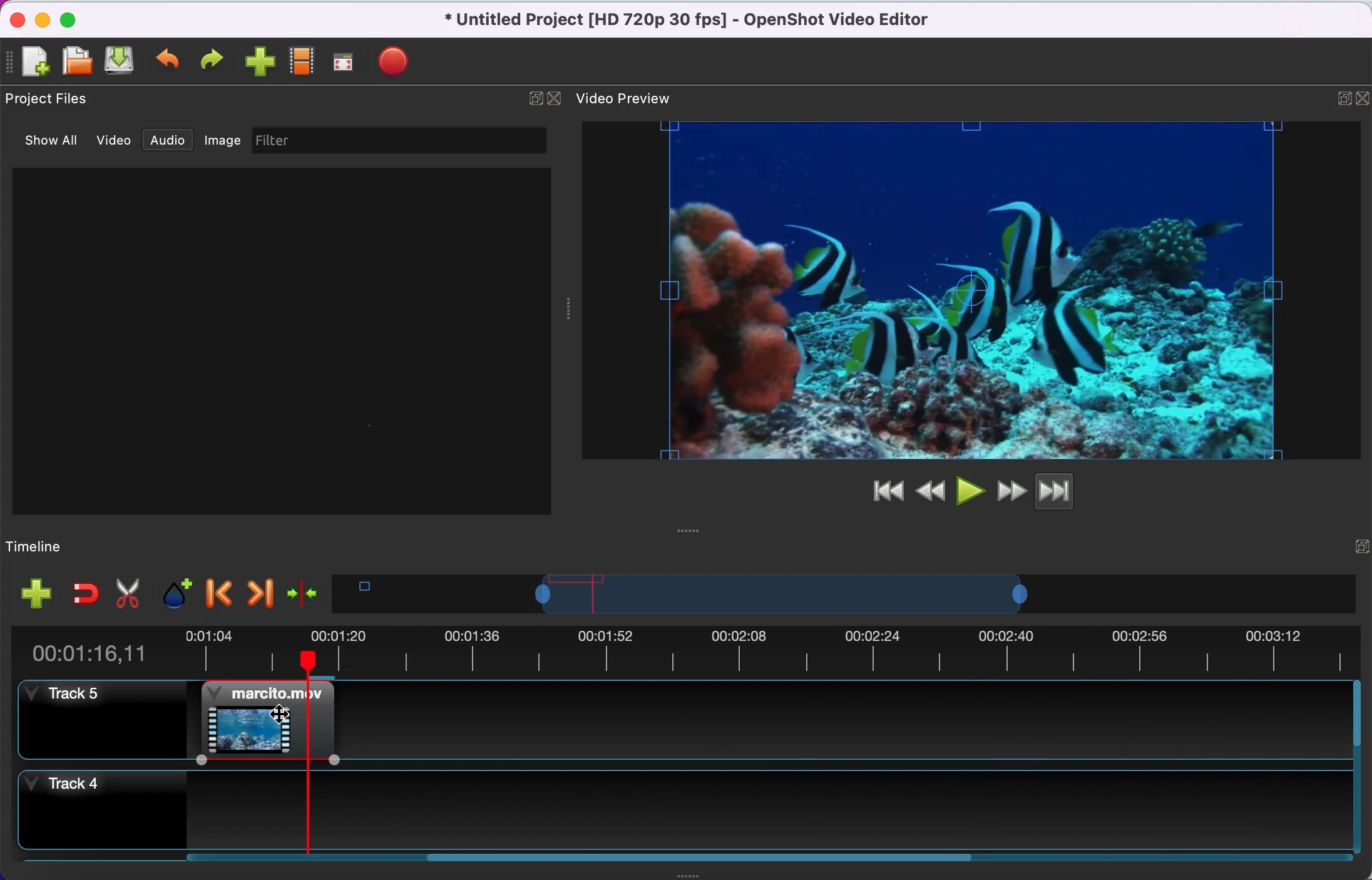 The width and height of the screenshot is (1372, 880). I want to click on enable snapping, so click(81, 594).